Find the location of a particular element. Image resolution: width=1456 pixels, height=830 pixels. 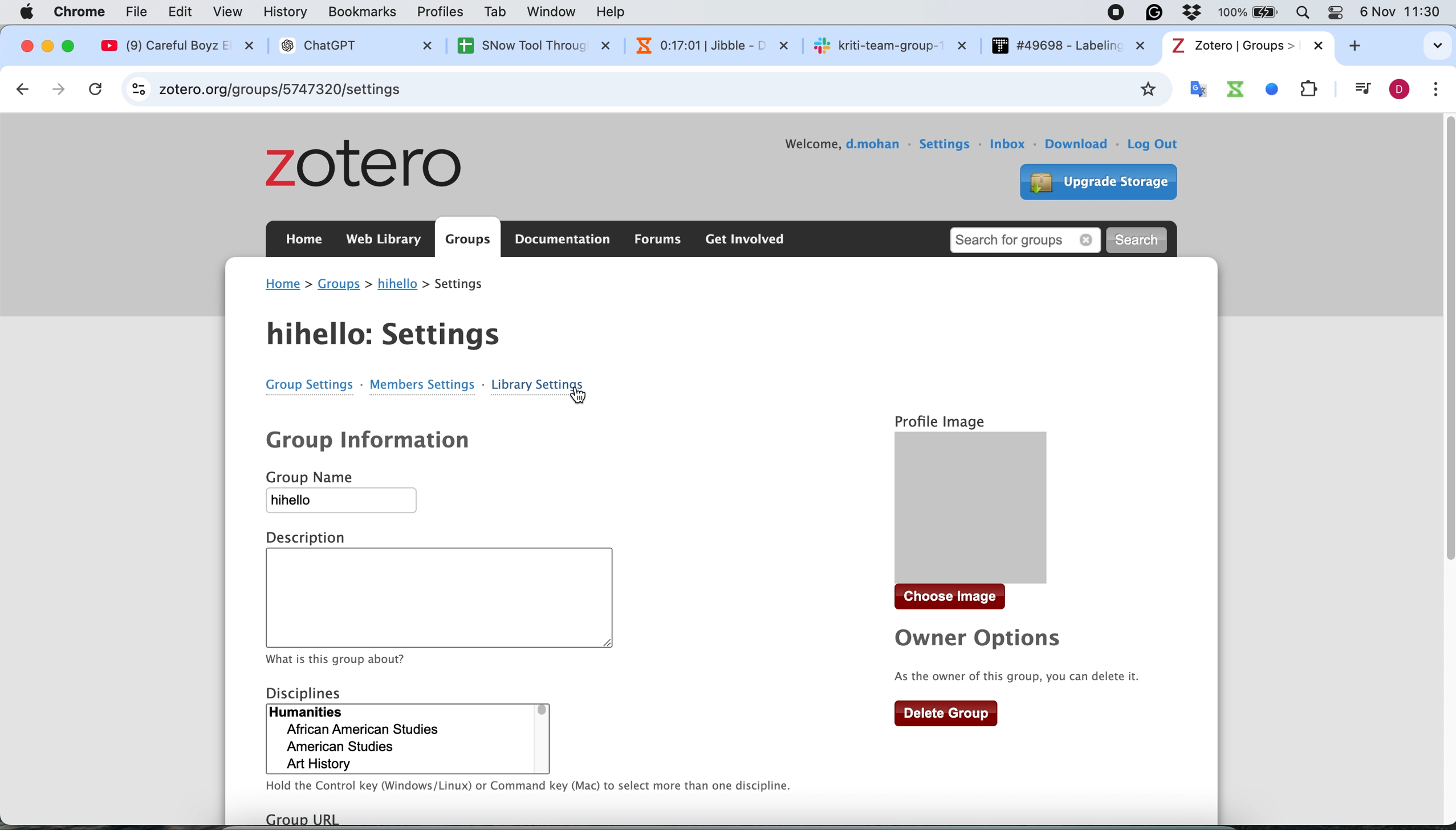

Image preview is located at coordinates (998, 509).